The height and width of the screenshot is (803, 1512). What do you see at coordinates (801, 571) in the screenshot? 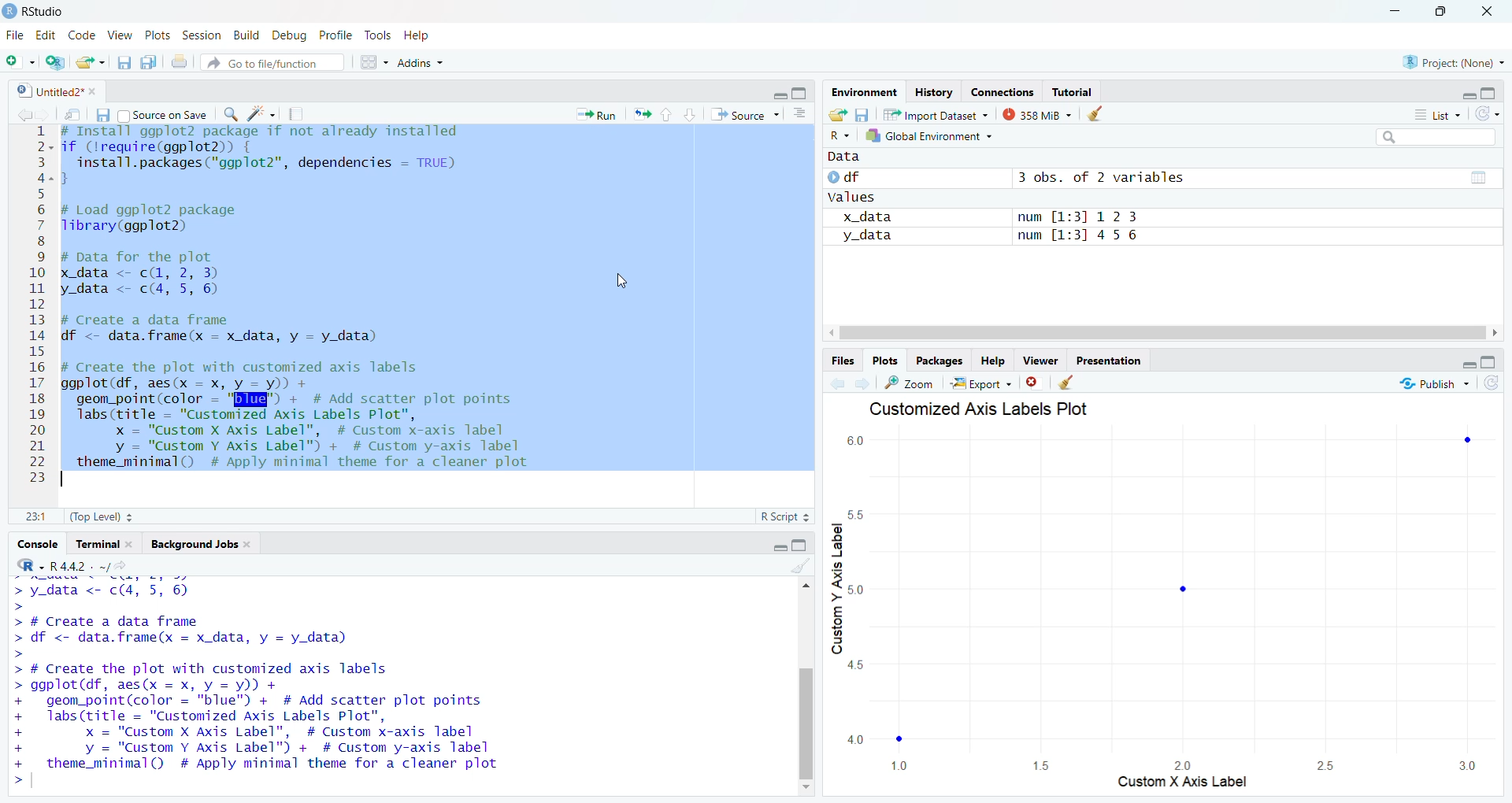
I see `clear` at bounding box center [801, 571].